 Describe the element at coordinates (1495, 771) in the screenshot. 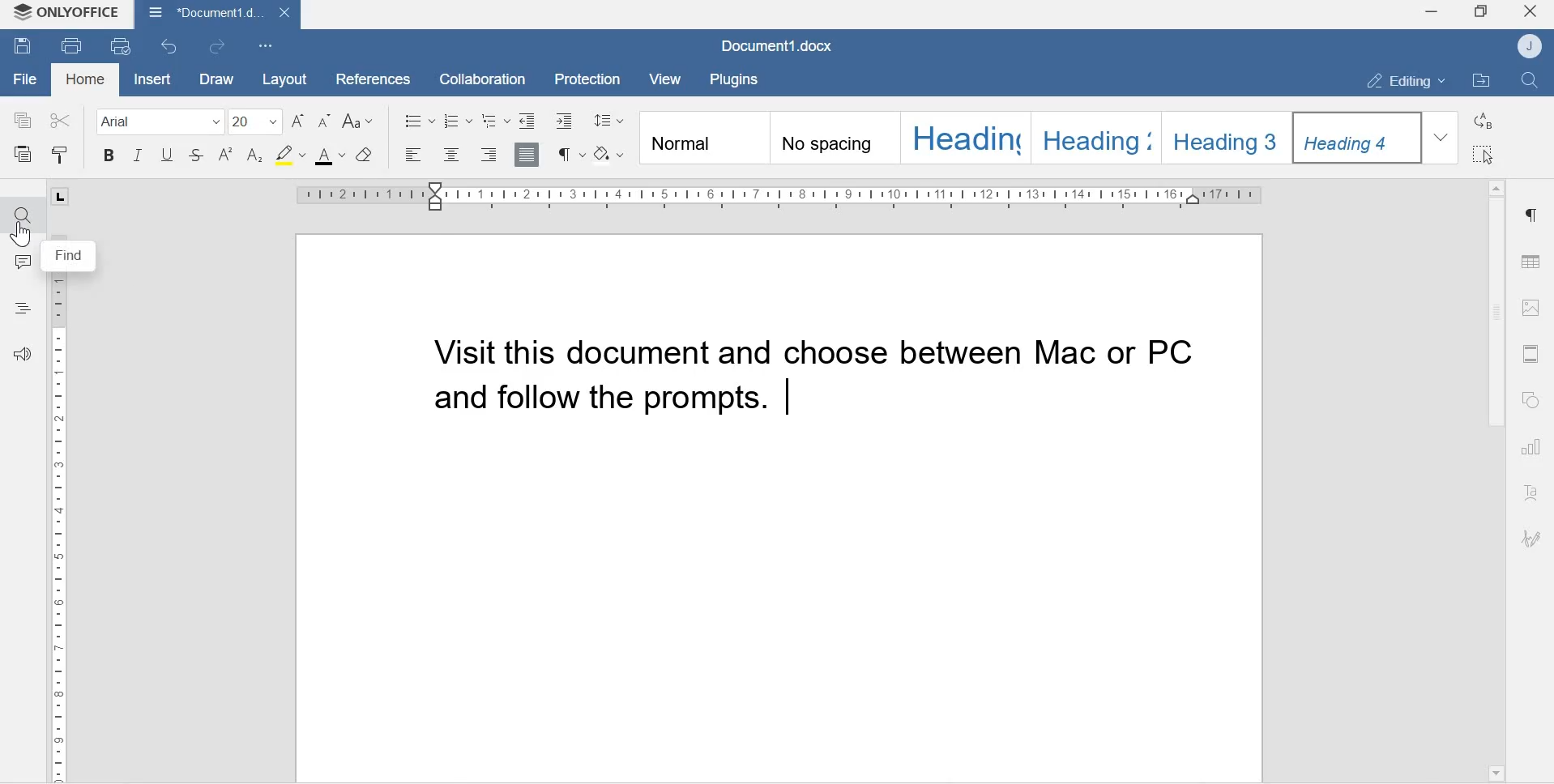

I see `Scroll down` at that location.